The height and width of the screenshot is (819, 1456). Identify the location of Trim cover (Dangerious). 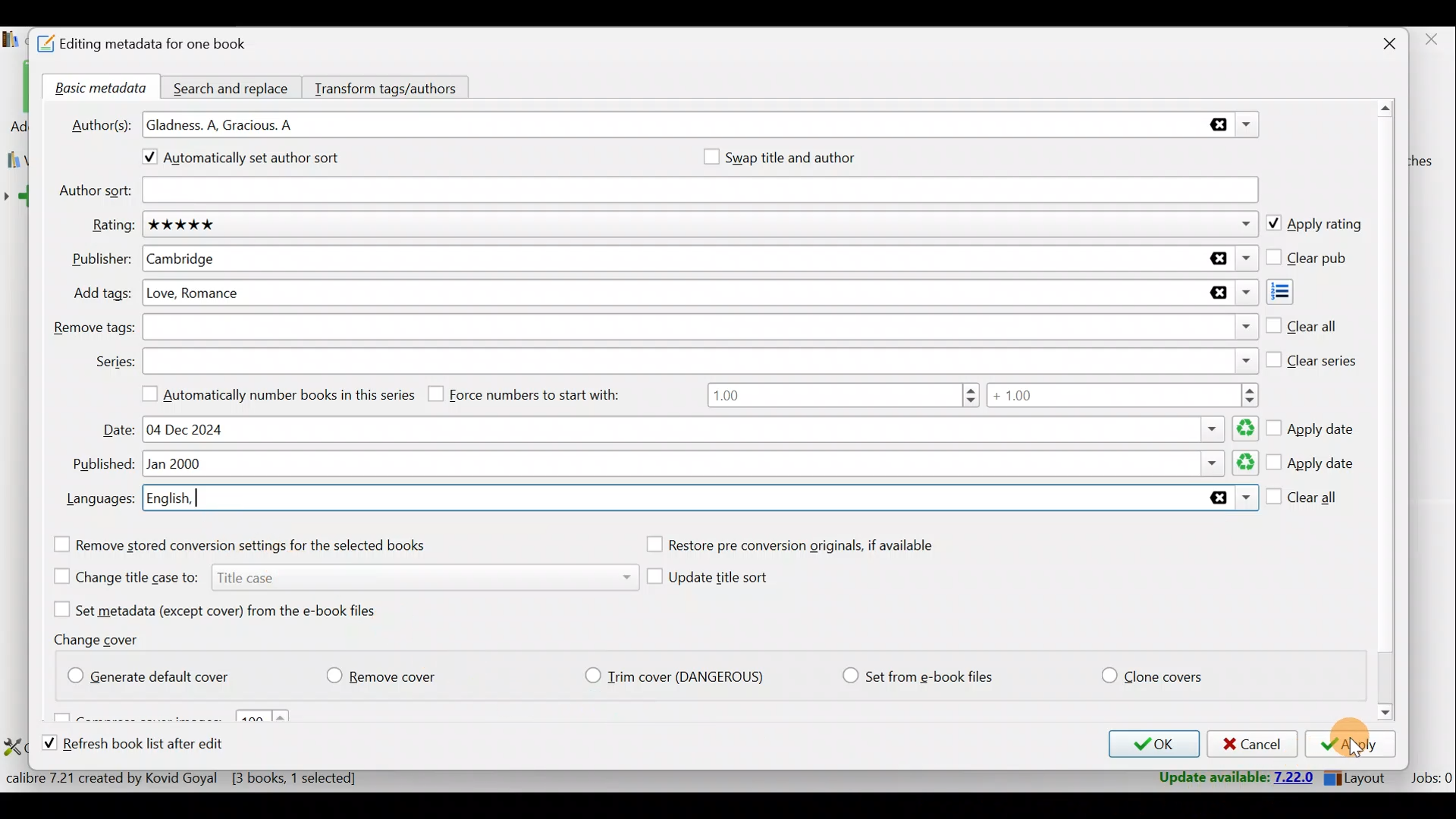
(679, 678).